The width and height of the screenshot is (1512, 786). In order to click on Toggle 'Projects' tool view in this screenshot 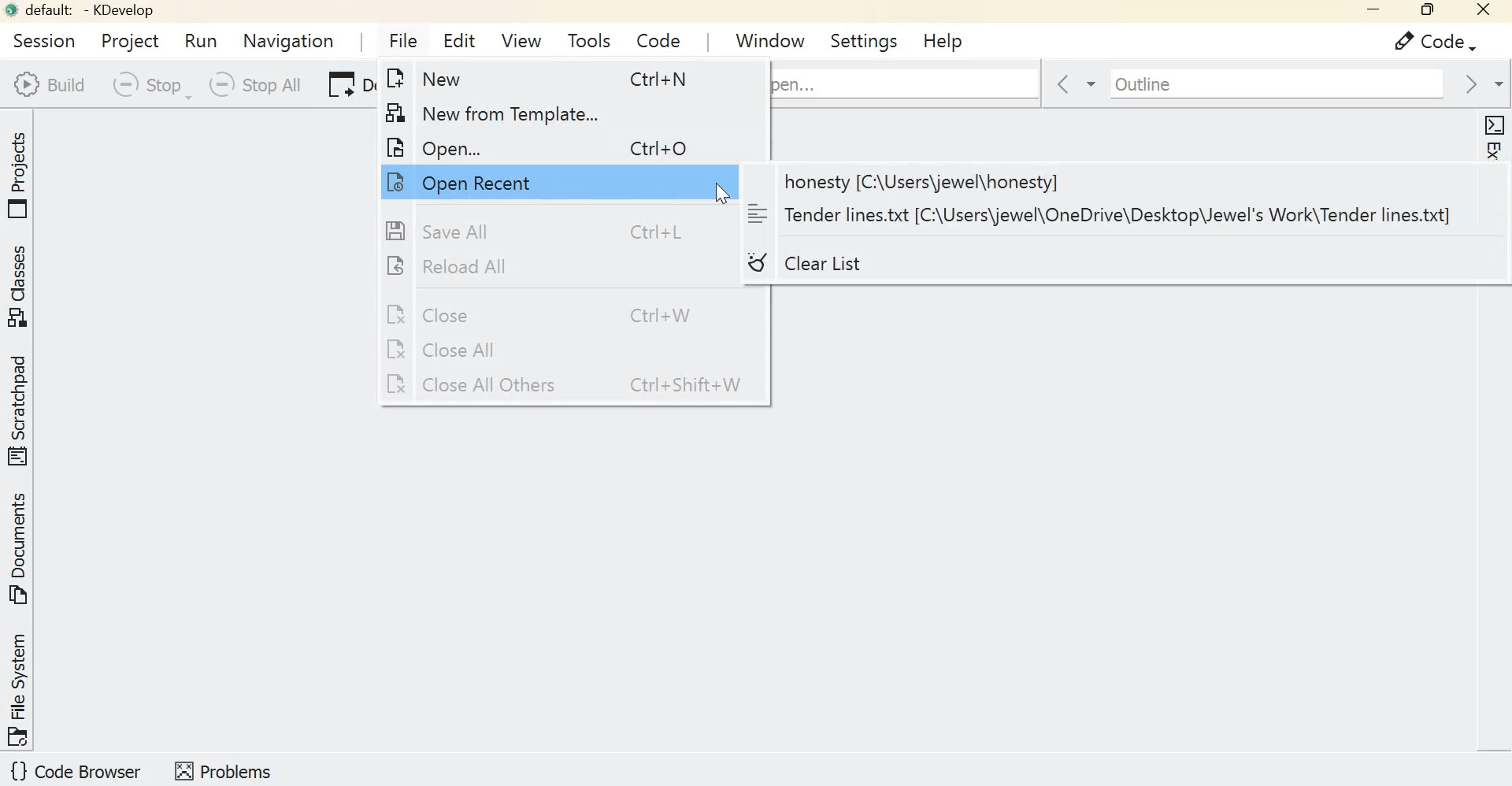, I will do `click(21, 171)`.